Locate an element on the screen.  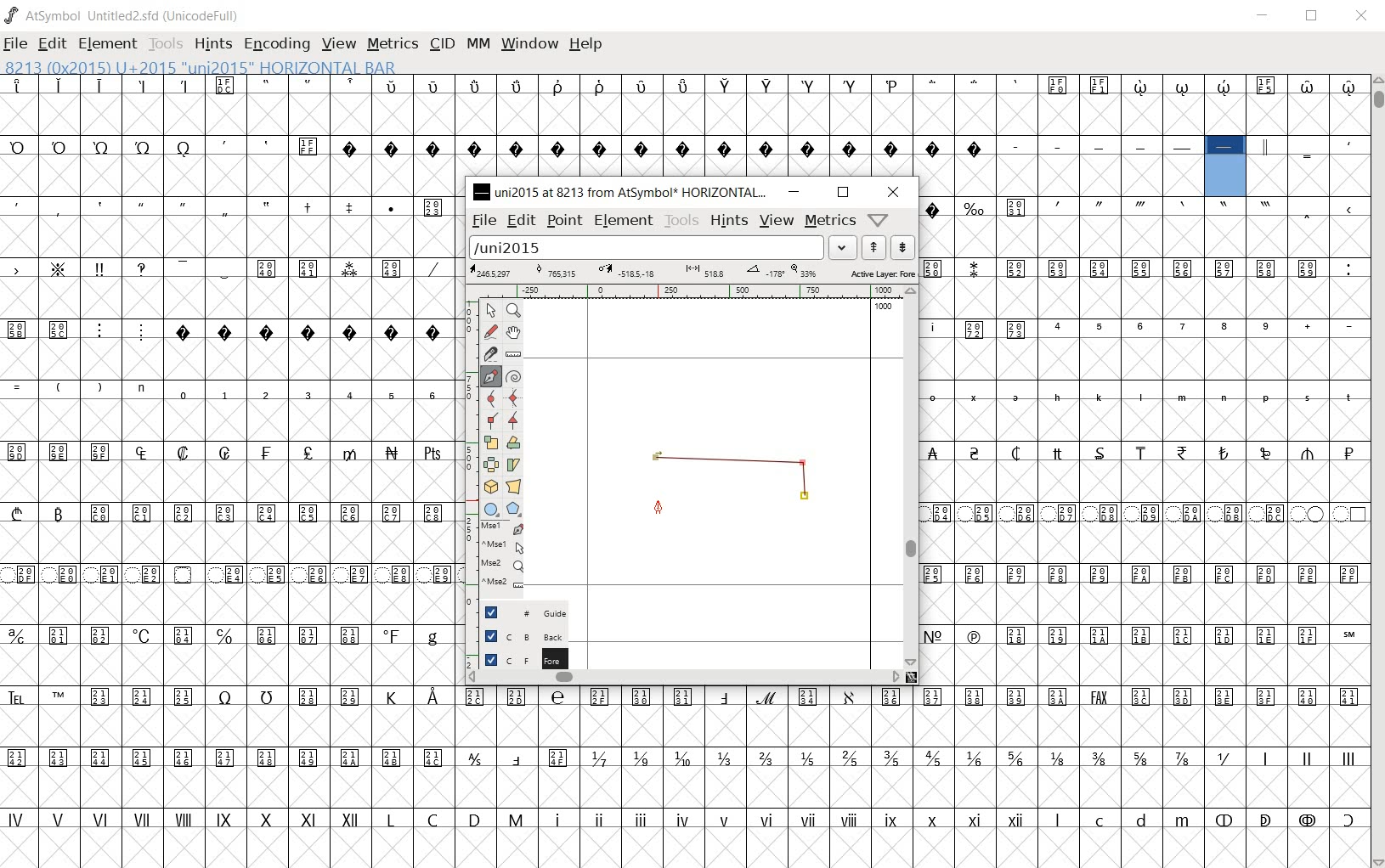
scrollbar is located at coordinates (683, 679).